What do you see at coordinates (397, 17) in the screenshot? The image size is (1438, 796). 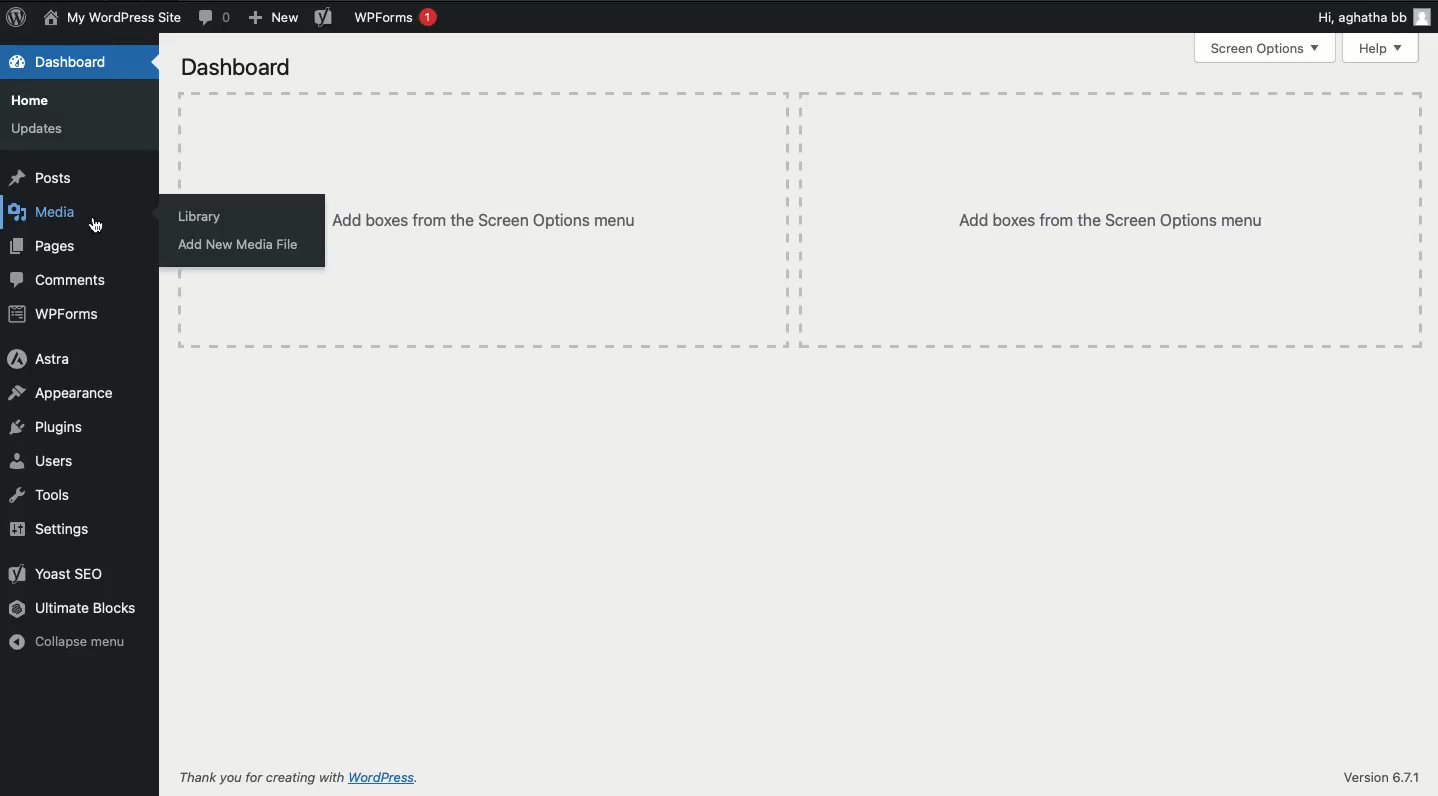 I see `WPForms` at bounding box center [397, 17].